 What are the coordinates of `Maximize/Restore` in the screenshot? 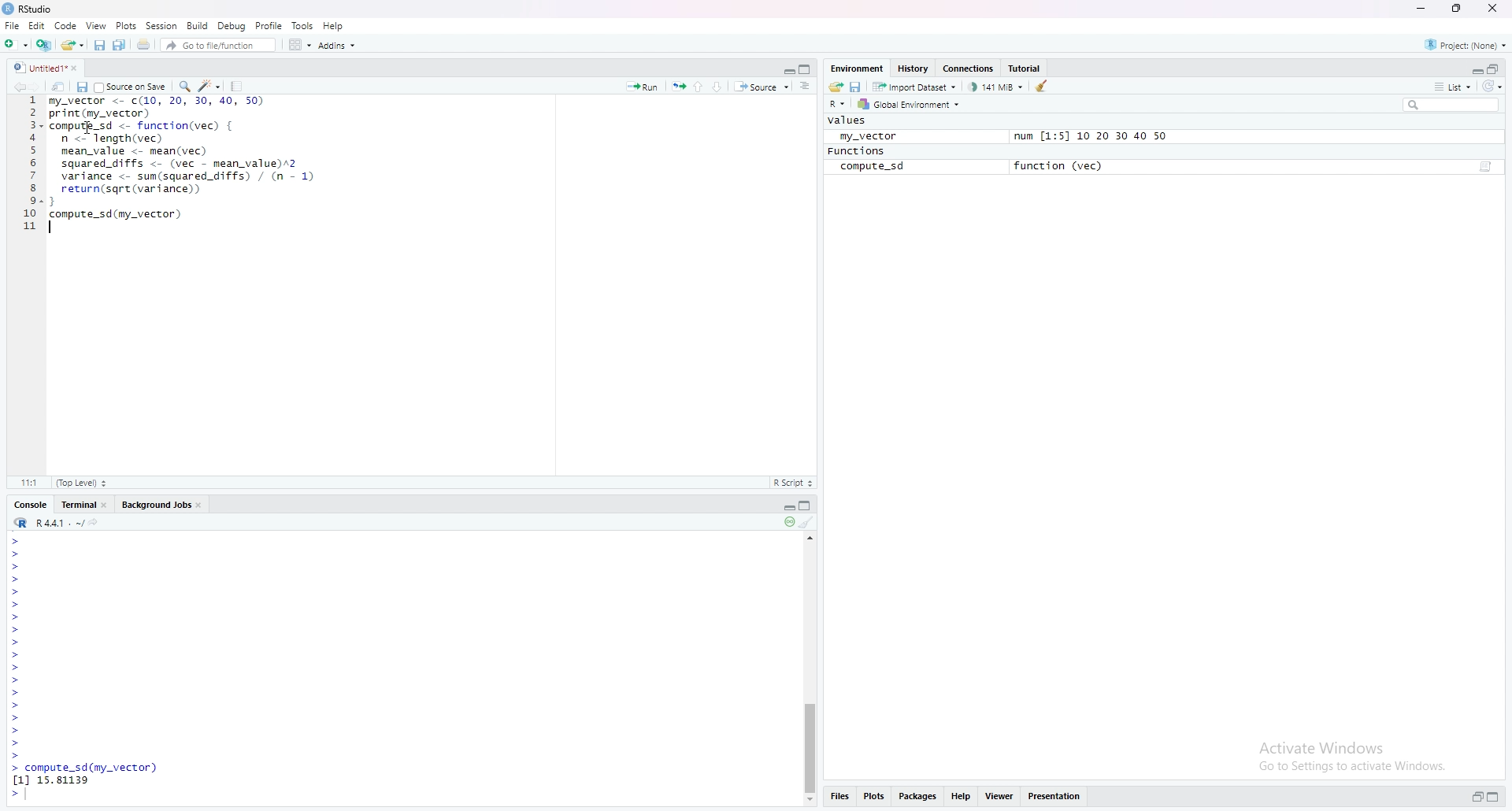 It's located at (1495, 69).